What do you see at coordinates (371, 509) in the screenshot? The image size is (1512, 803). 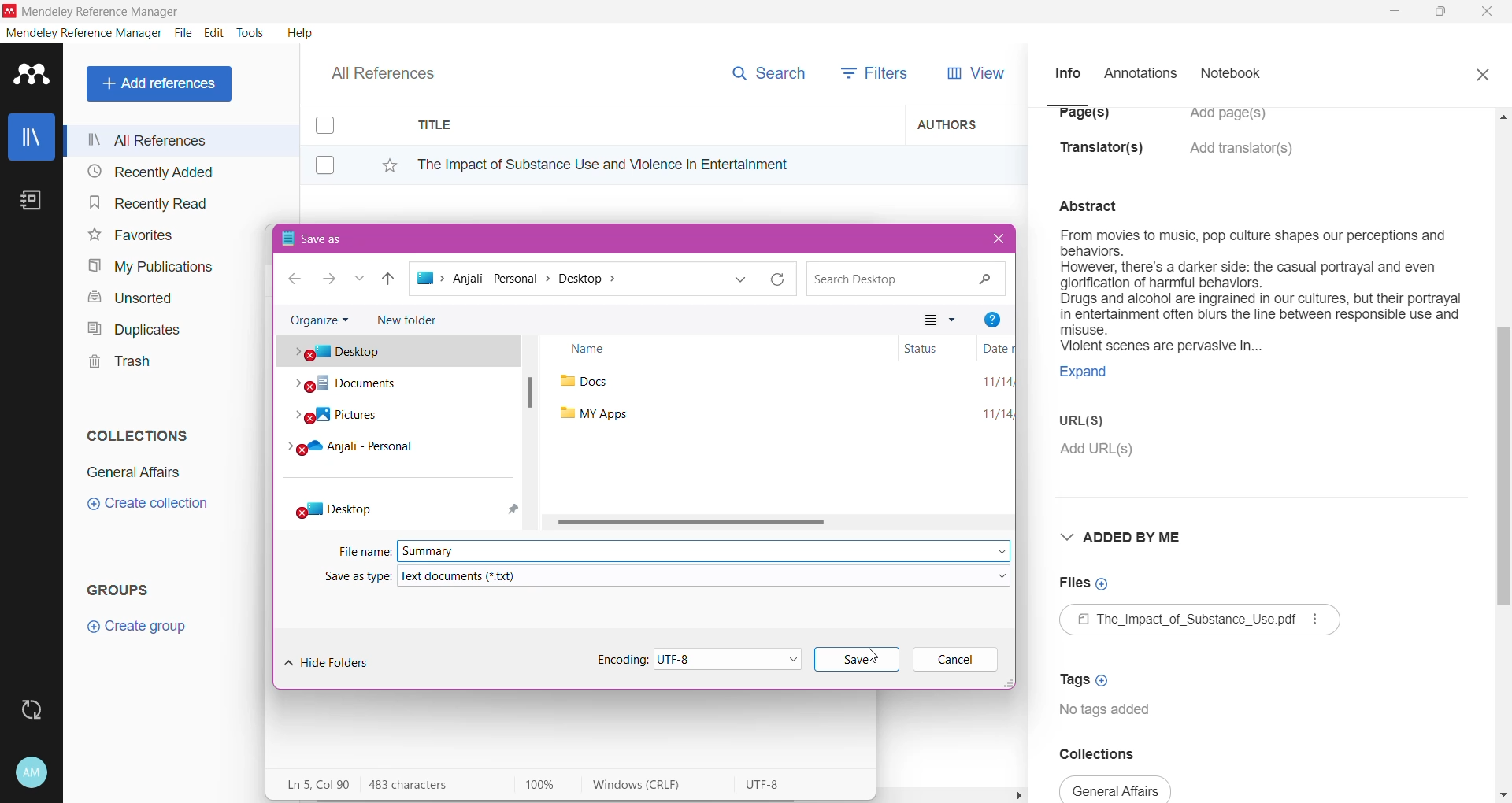 I see `Desktop` at bounding box center [371, 509].